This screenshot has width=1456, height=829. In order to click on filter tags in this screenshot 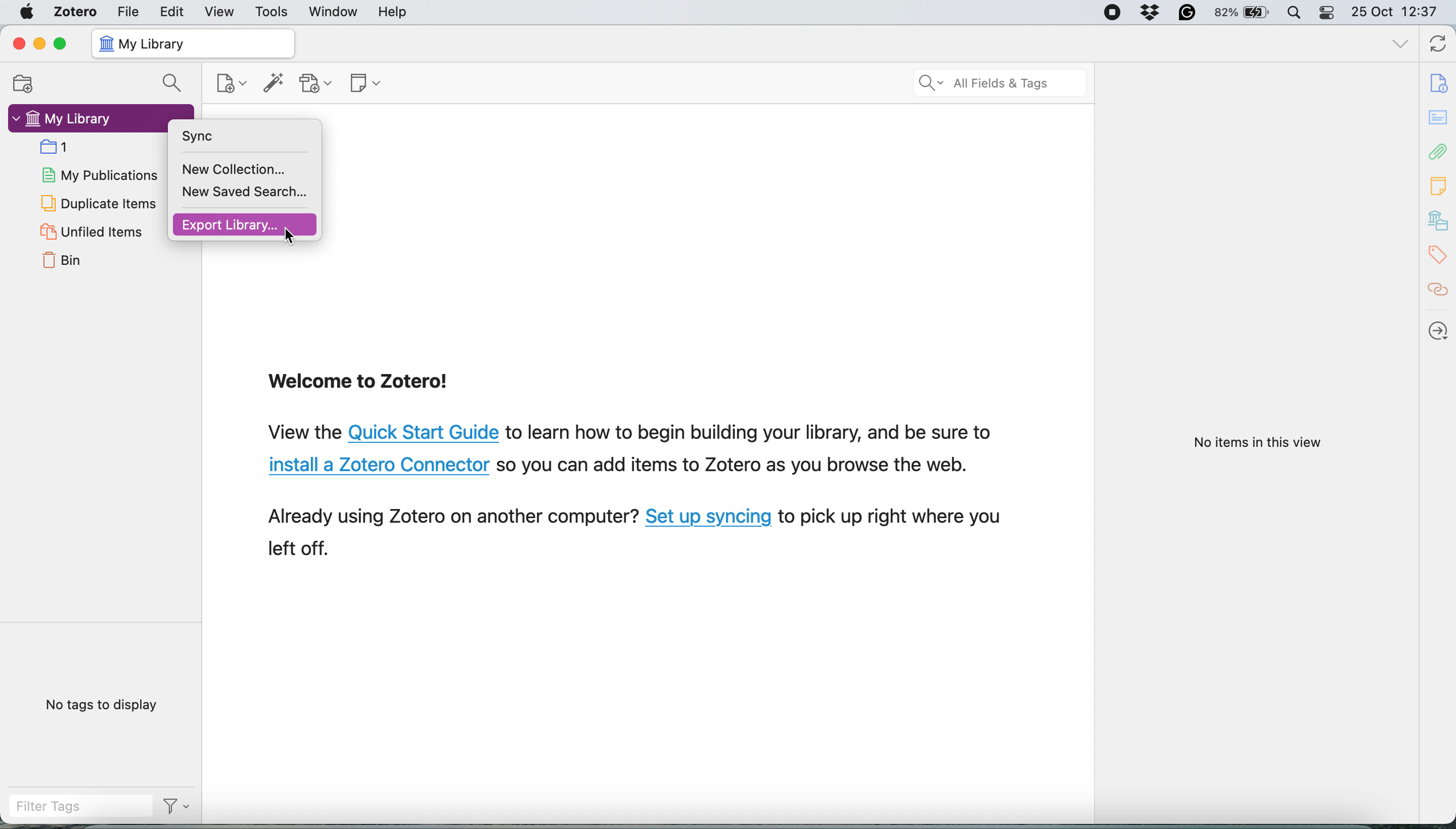, I will do `click(76, 808)`.